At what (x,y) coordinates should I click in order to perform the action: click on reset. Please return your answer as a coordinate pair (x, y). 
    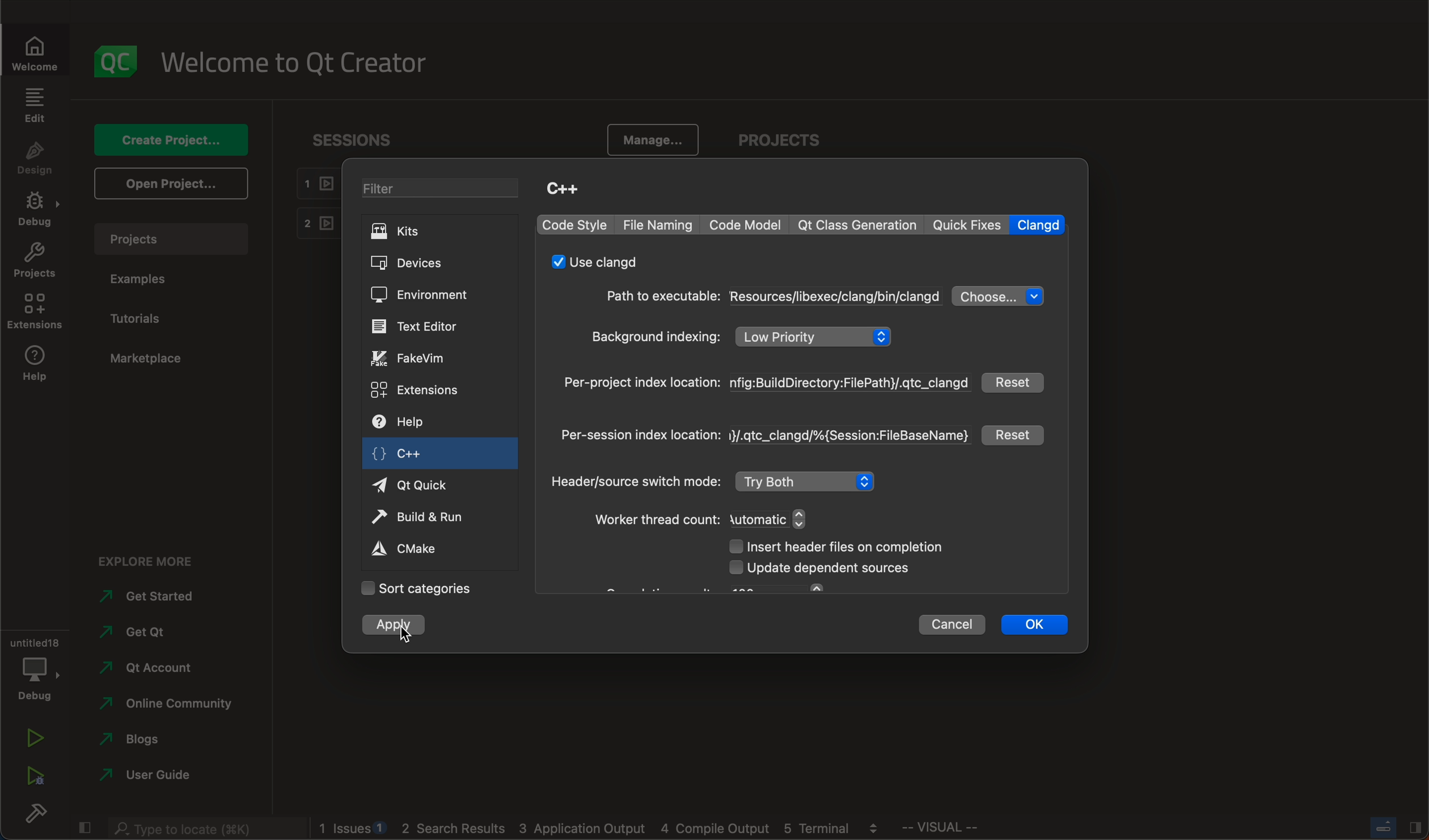
    Looking at the image, I should click on (1013, 434).